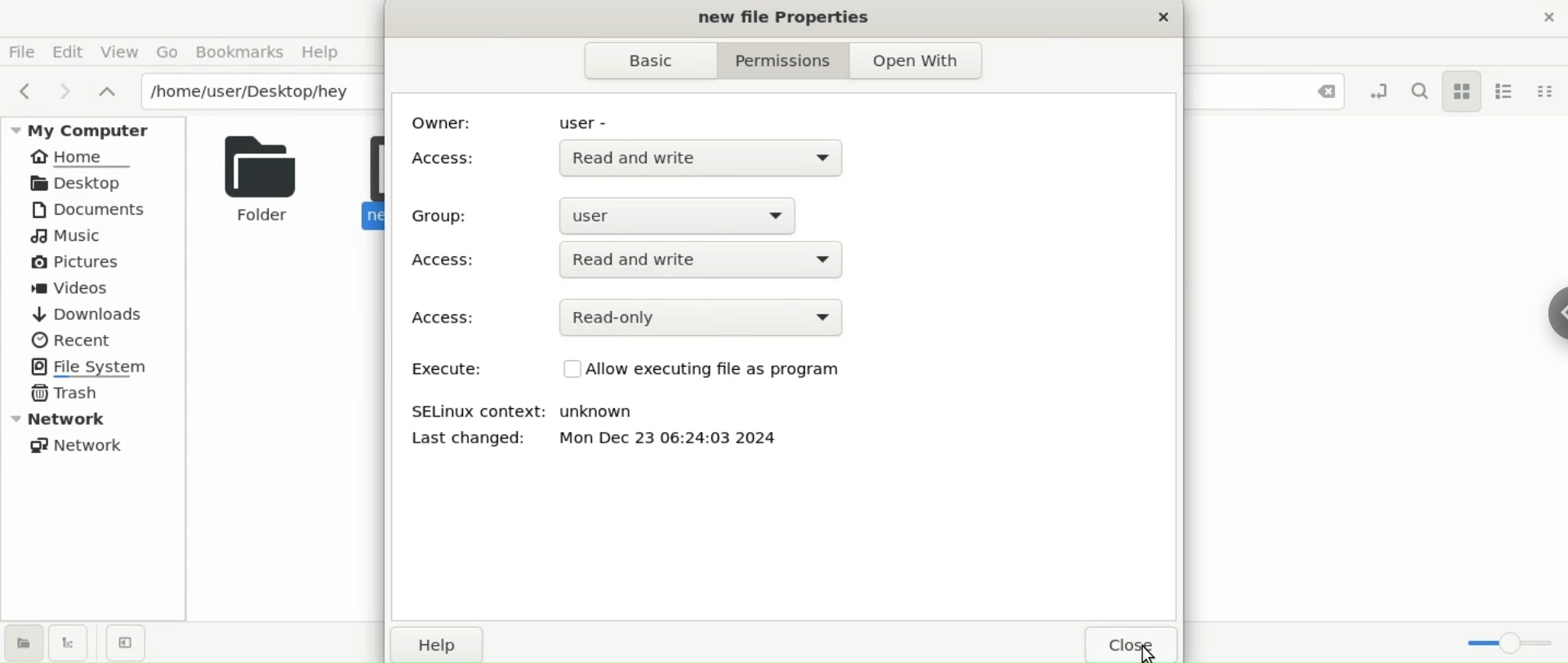  Describe the element at coordinates (71, 338) in the screenshot. I see `Recent` at that location.